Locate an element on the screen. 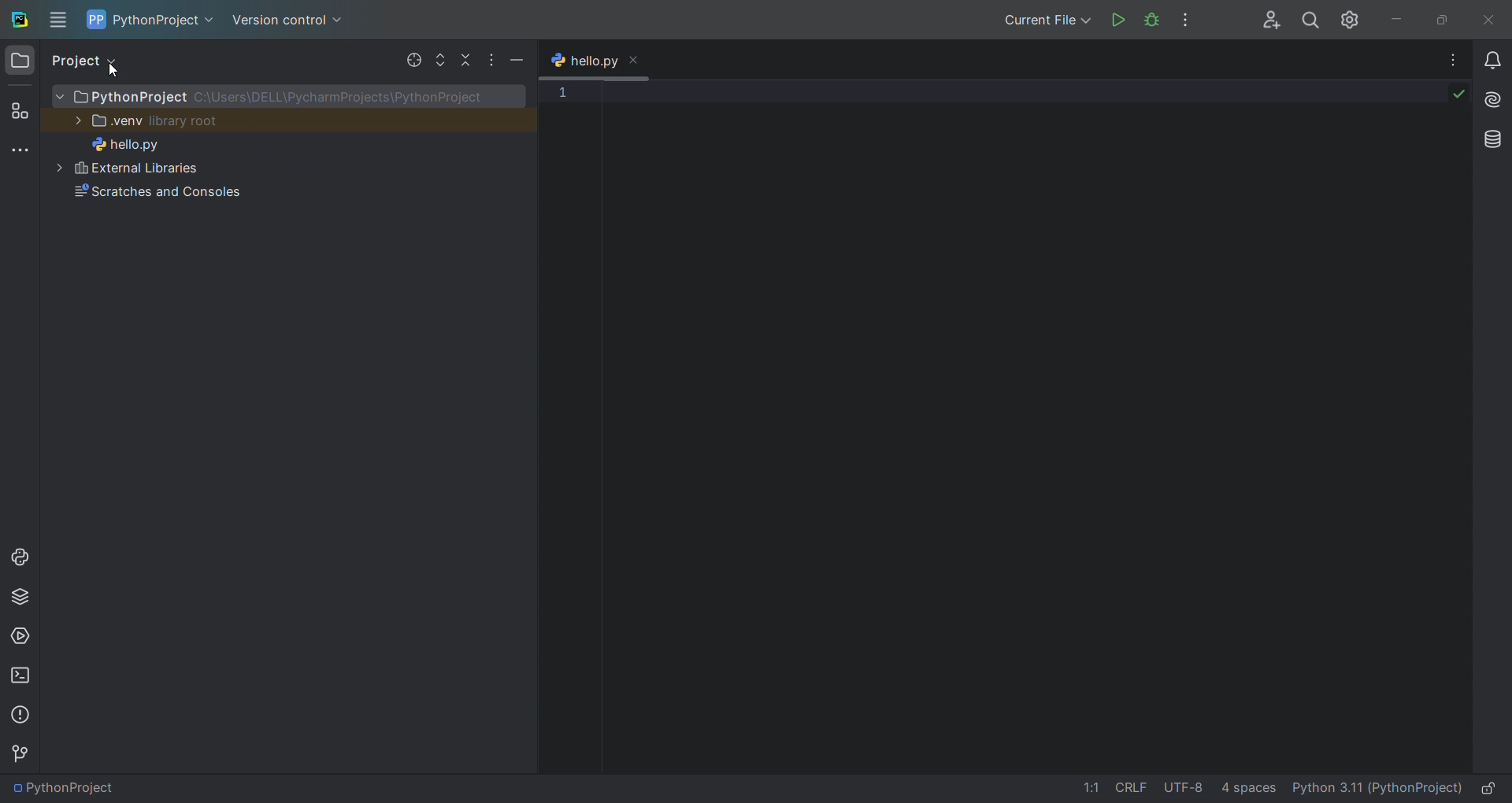 Image resolution: width=1512 pixels, height=803 pixels. menu is located at coordinates (60, 20).